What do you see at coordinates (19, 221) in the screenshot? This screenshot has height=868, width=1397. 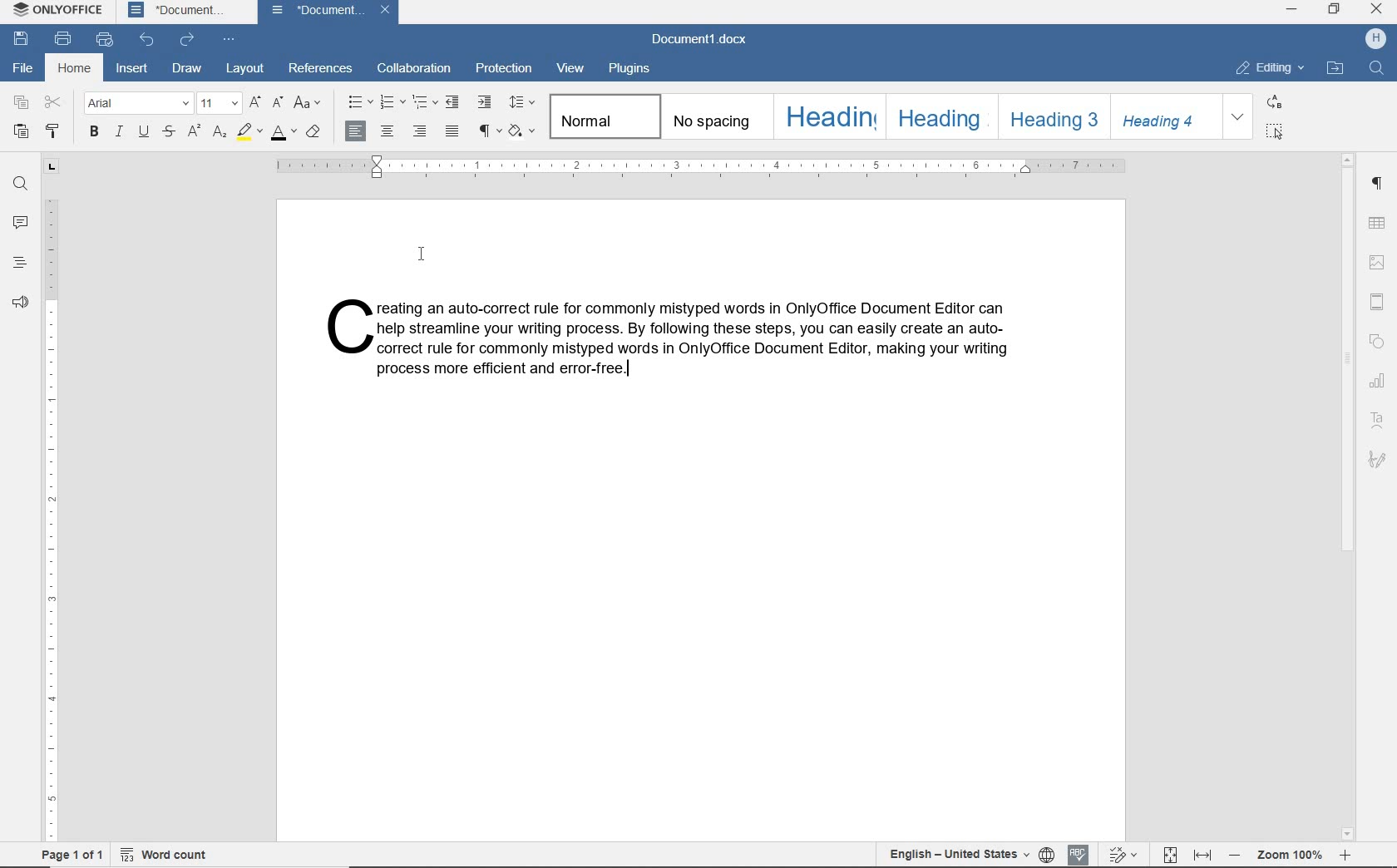 I see `COMMENTS` at bounding box center [19, 221].